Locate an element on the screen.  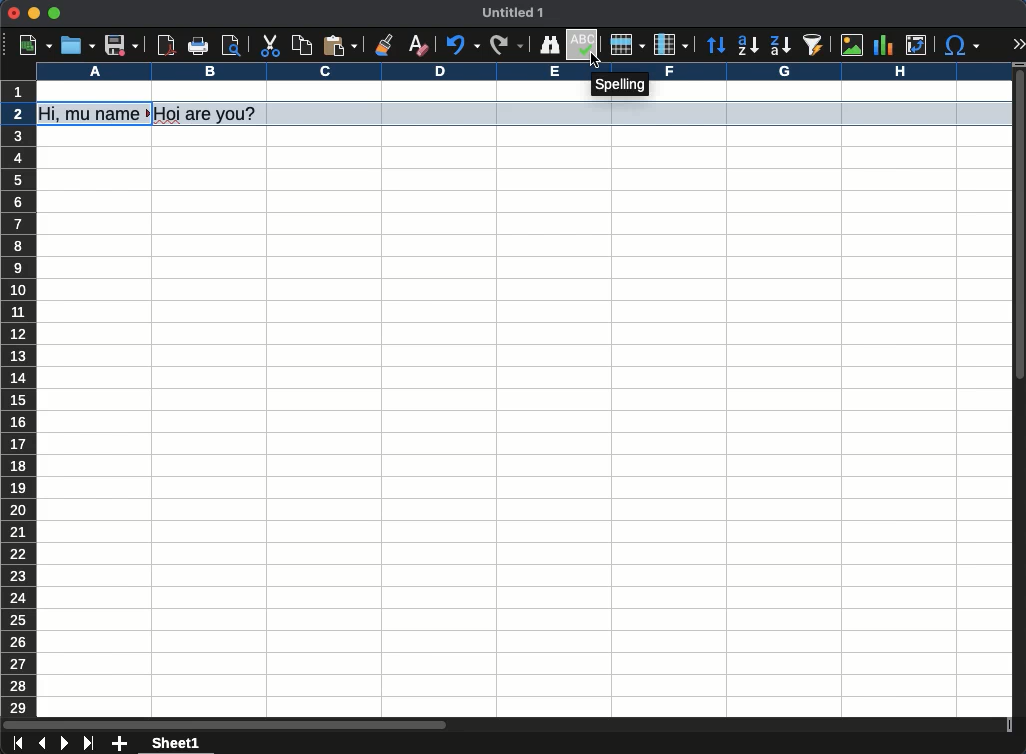
save is located at coordinates (122, 45).